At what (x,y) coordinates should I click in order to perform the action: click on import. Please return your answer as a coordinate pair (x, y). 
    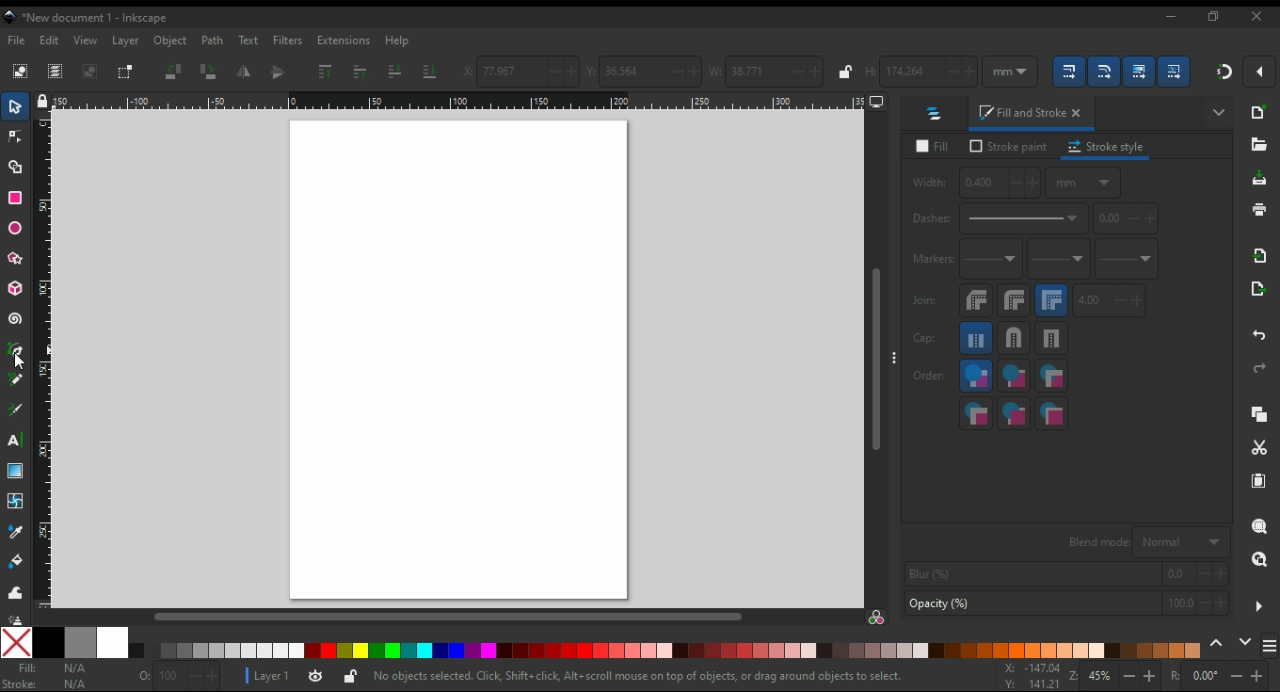
    Looking at the image, I should click on (1262, 256).